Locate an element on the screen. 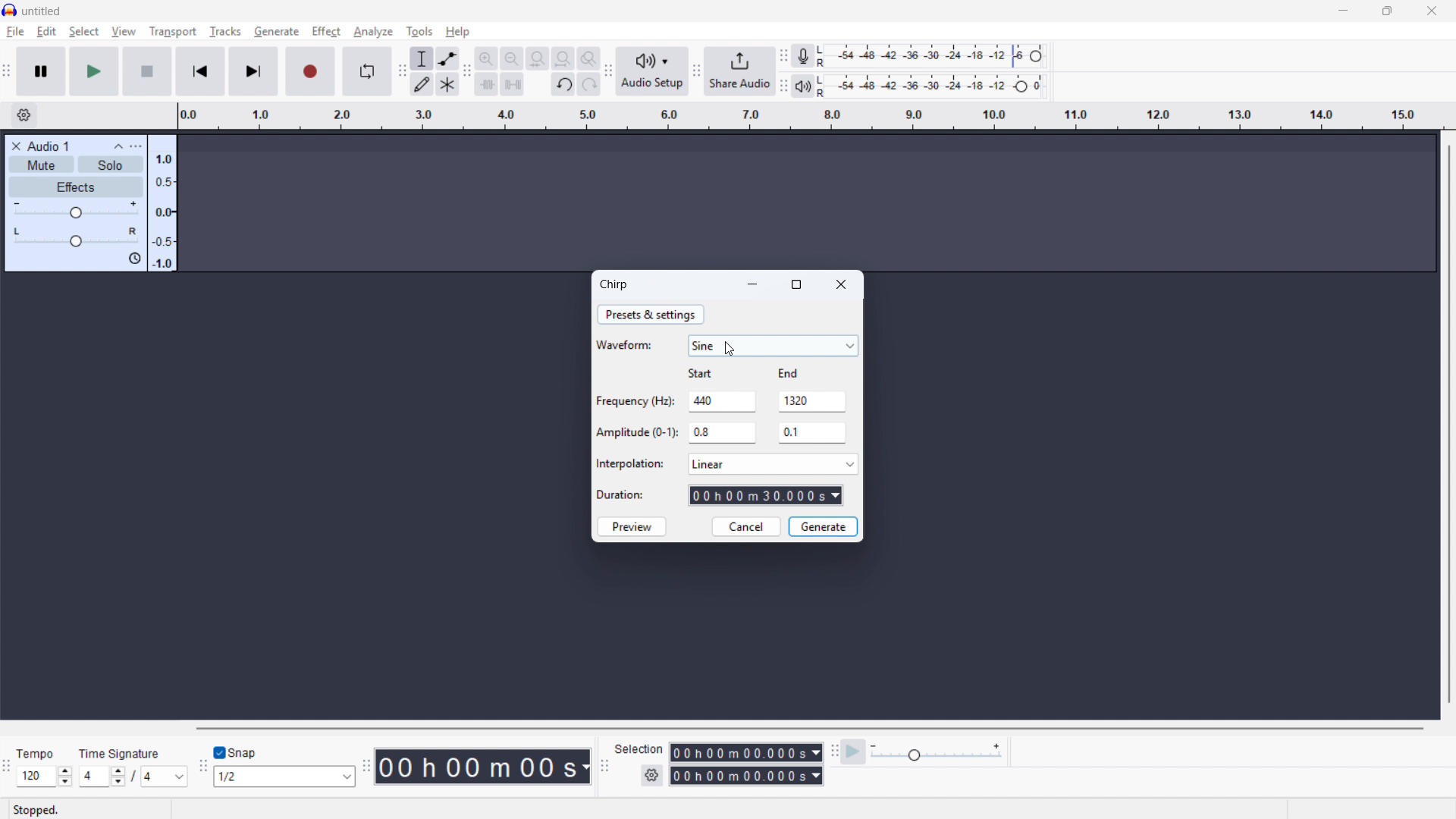  Waveform is located at coordinates (623, 345).